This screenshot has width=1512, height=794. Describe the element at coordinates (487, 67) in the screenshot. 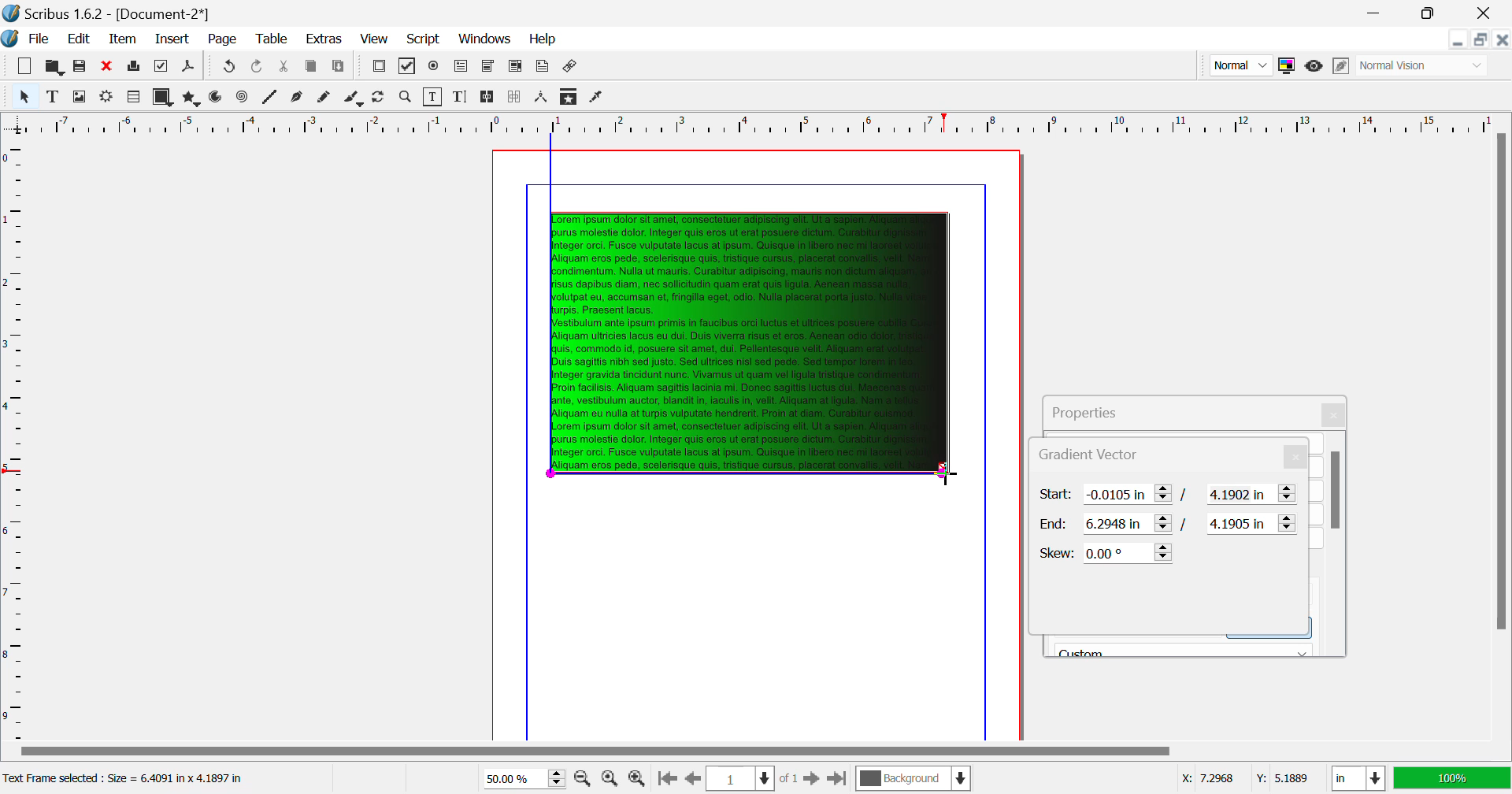

I see `Pdf Combo Box` at that location.